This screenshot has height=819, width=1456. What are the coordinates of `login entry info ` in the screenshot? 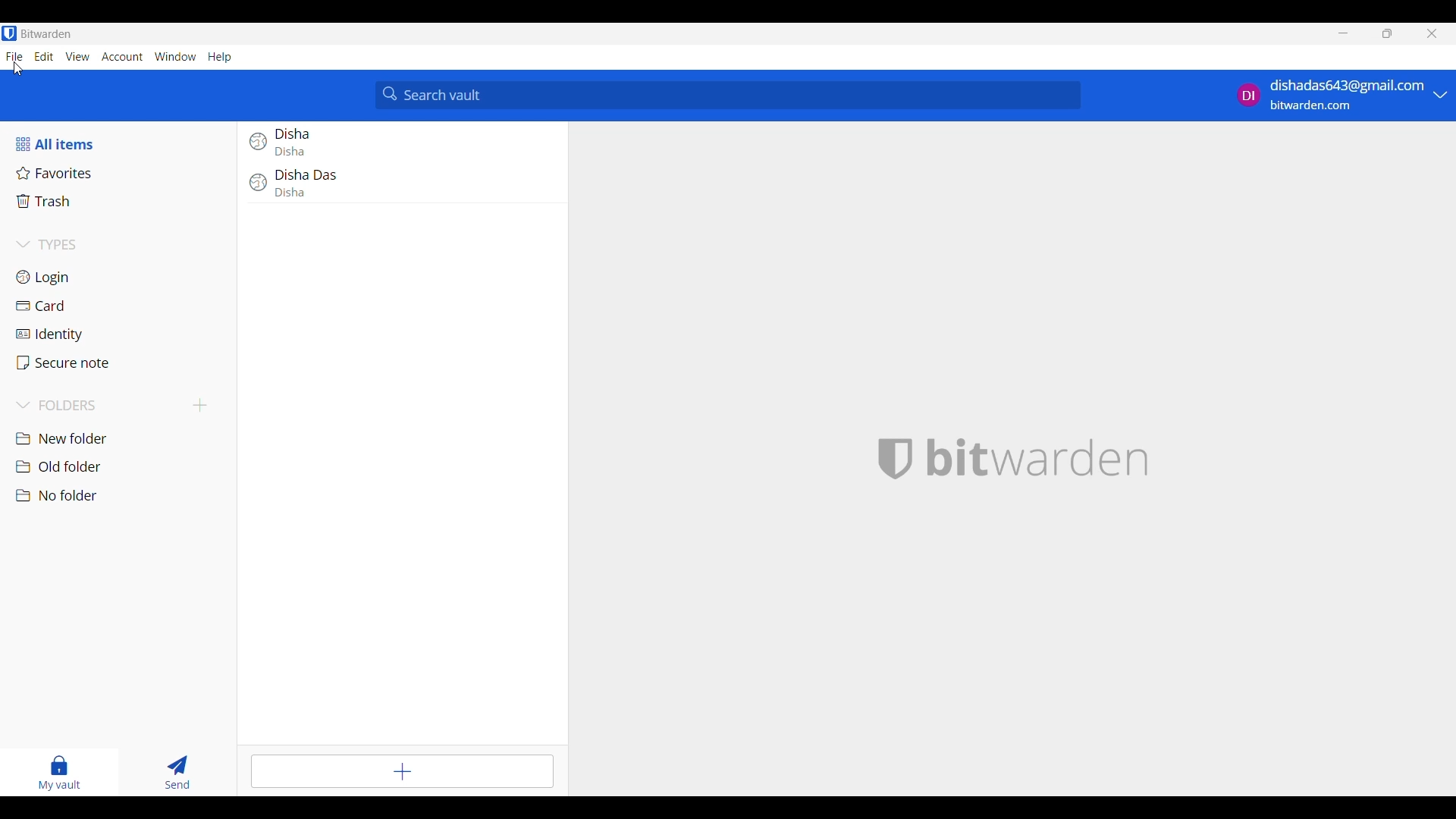 It's located at (394, 143).